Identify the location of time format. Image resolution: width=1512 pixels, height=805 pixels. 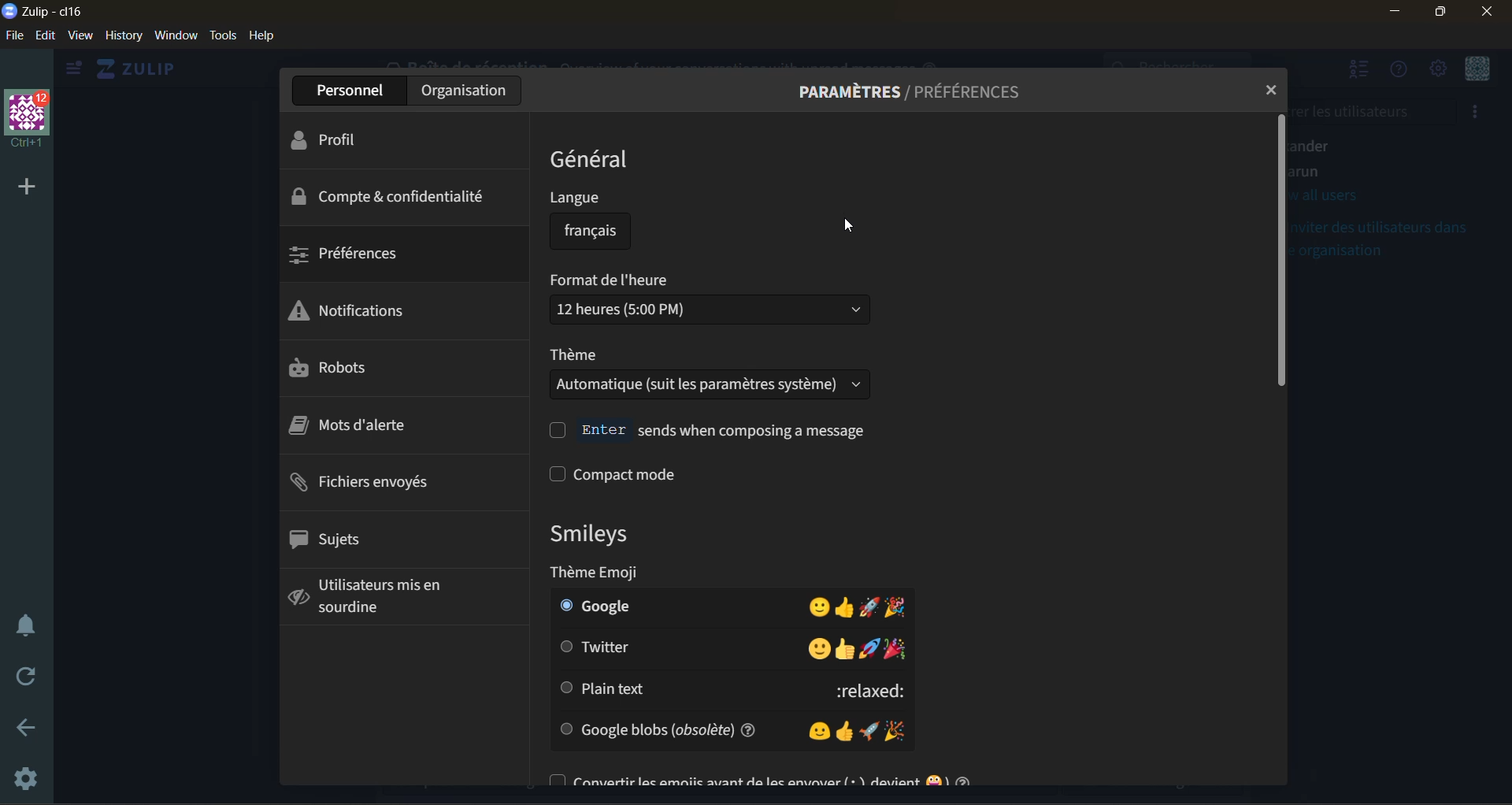
(702, 301).